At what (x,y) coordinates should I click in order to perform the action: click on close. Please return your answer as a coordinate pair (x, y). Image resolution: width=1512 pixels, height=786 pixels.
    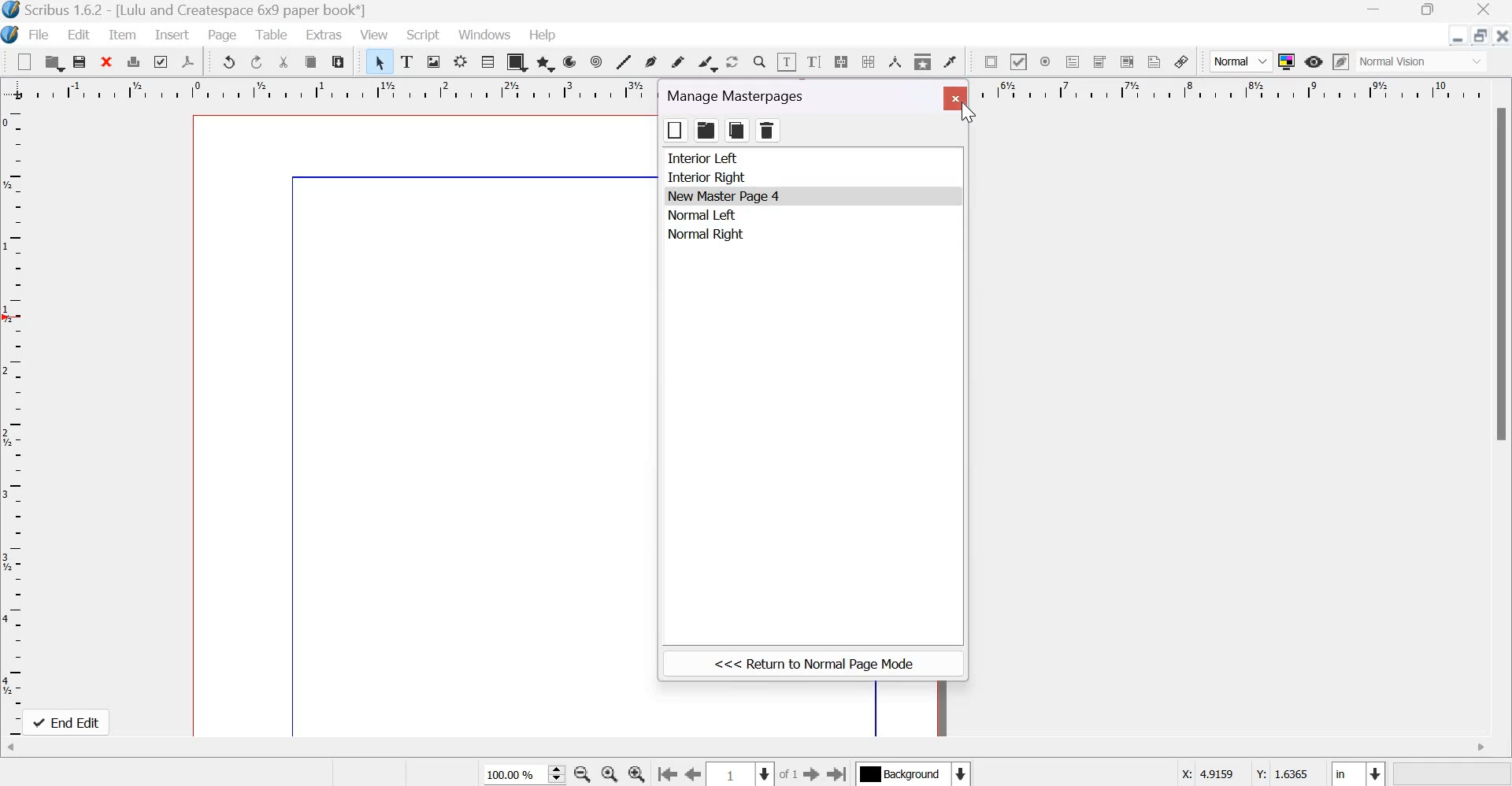
    Looking at the image, I should click on (956, 98).